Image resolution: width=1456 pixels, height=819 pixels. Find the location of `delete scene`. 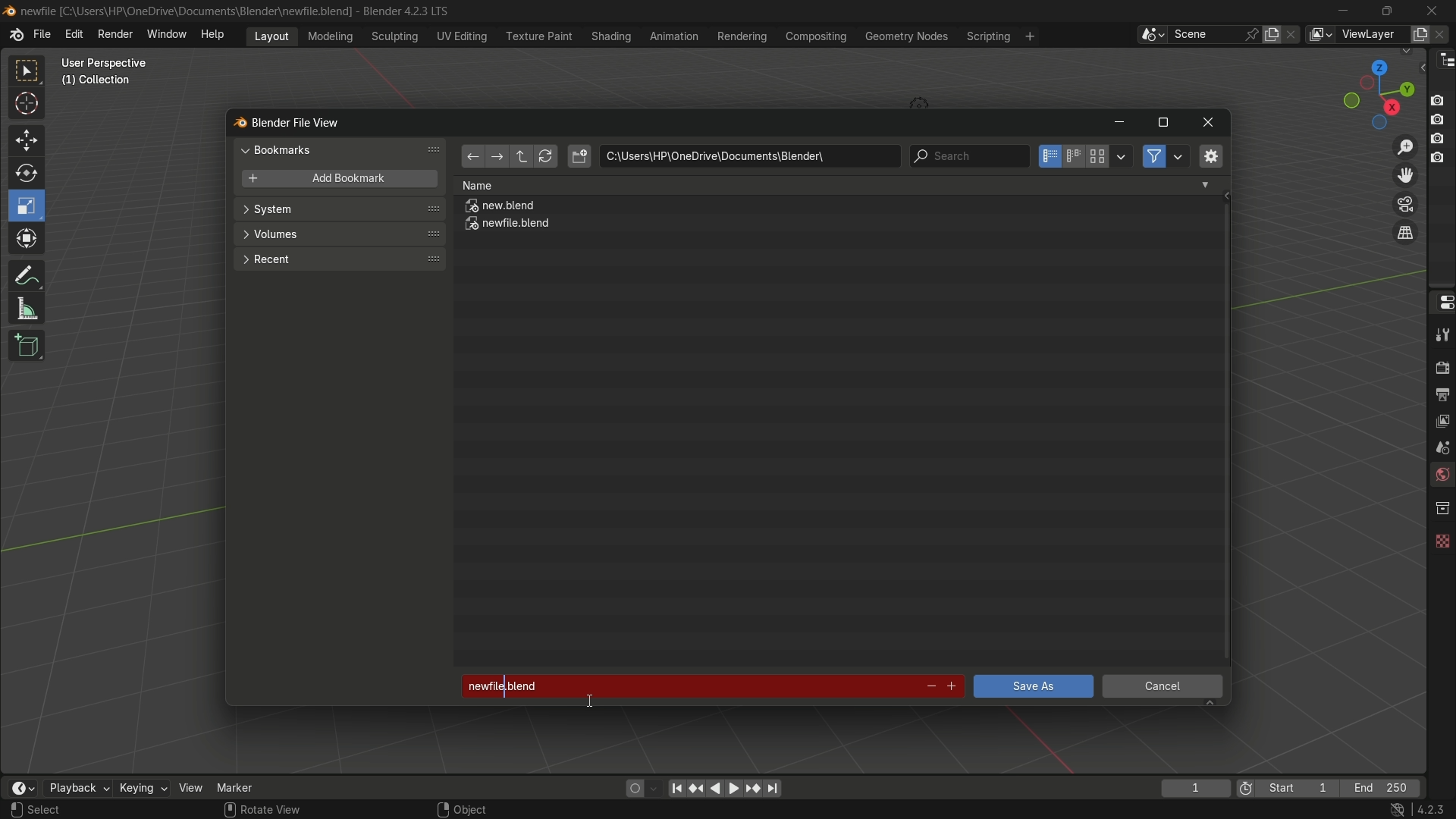

delete scene is located at coordinates (1293, 34).